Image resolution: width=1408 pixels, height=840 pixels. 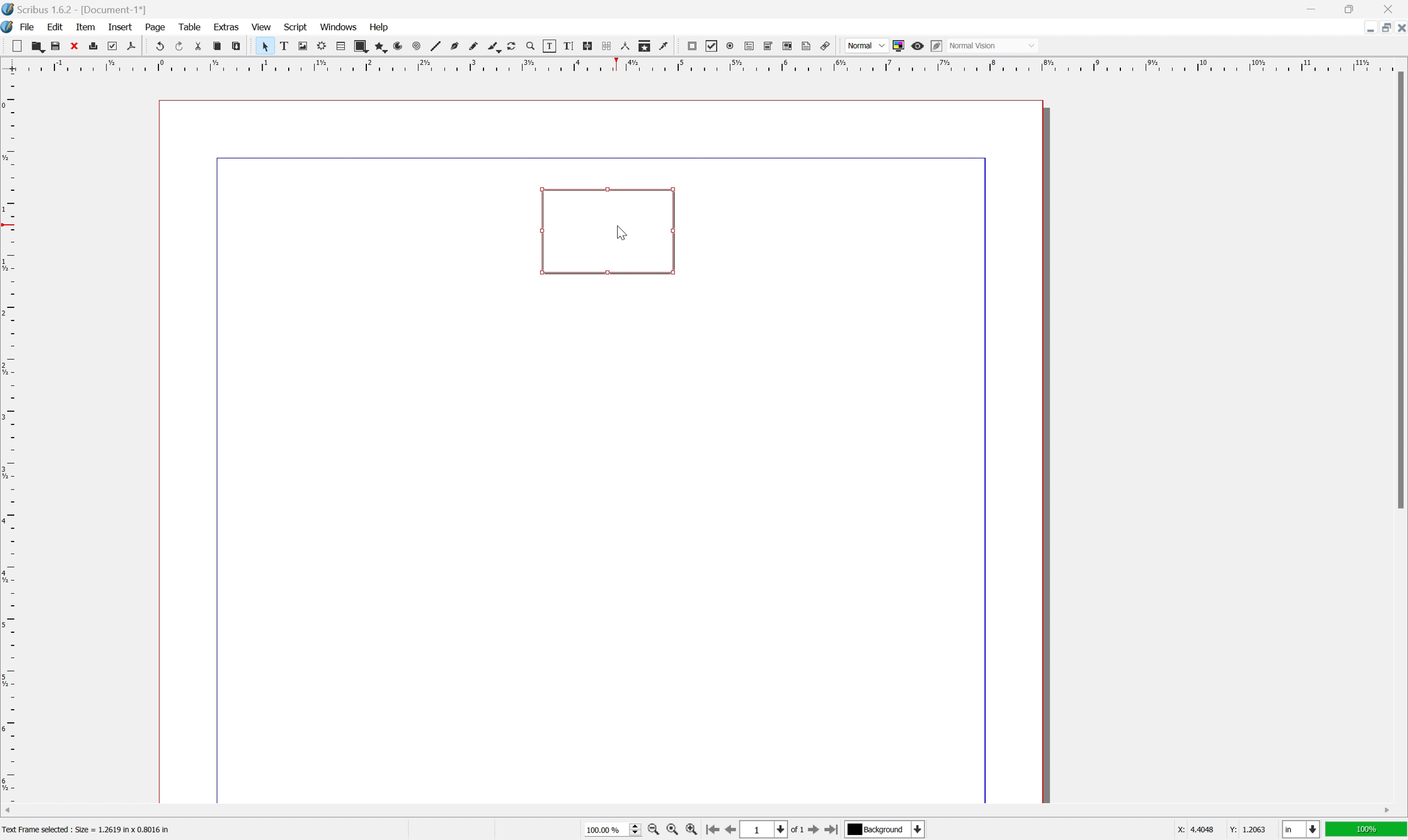 What do you see at coordinates (297, 26) in the screenshot?
I see `script` at bounding box center [297, 26].